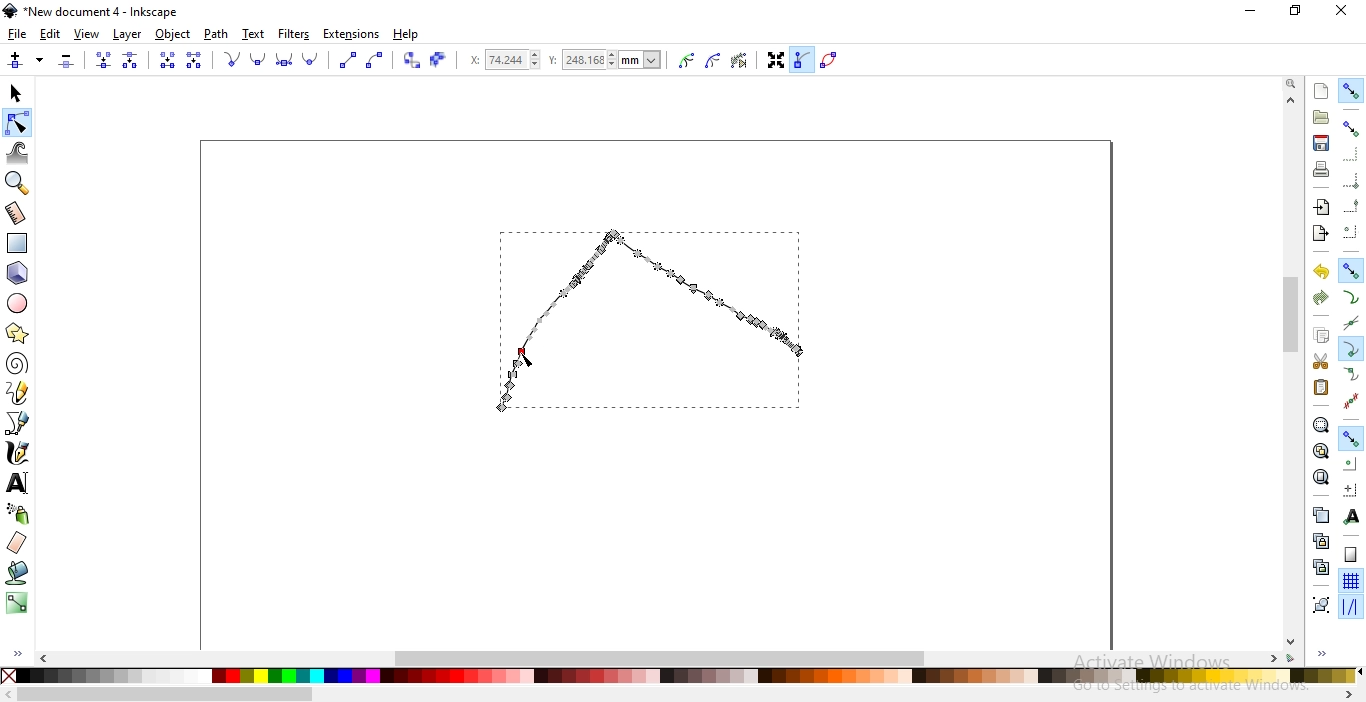 The width and height of the screenshot is (1366, 702). I want to click on fill bounded areas, so click(18, 573).